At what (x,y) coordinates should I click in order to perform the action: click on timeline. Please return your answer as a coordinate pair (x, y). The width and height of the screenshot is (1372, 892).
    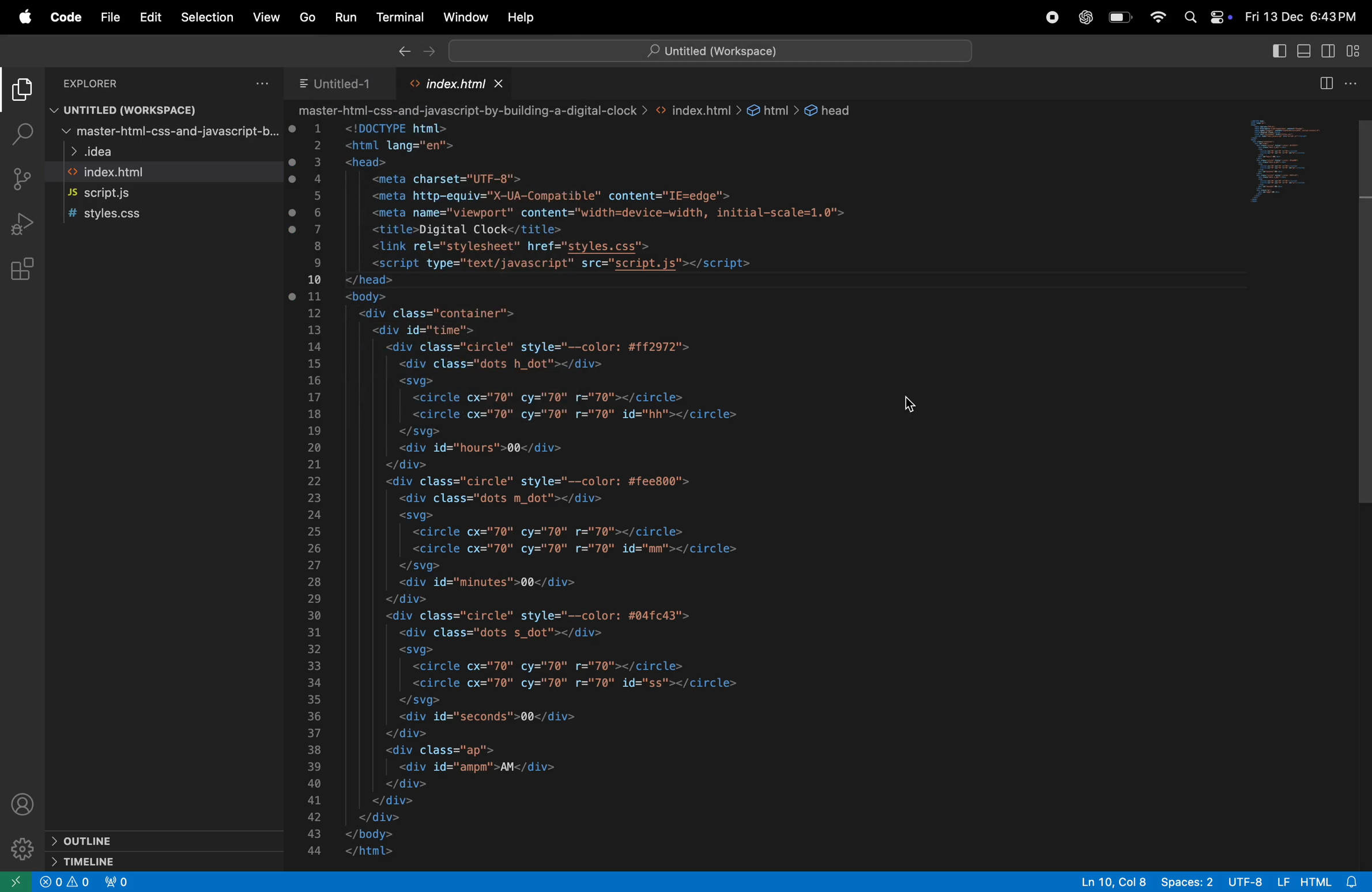
    Looking at the image, I should click on (138, 861).